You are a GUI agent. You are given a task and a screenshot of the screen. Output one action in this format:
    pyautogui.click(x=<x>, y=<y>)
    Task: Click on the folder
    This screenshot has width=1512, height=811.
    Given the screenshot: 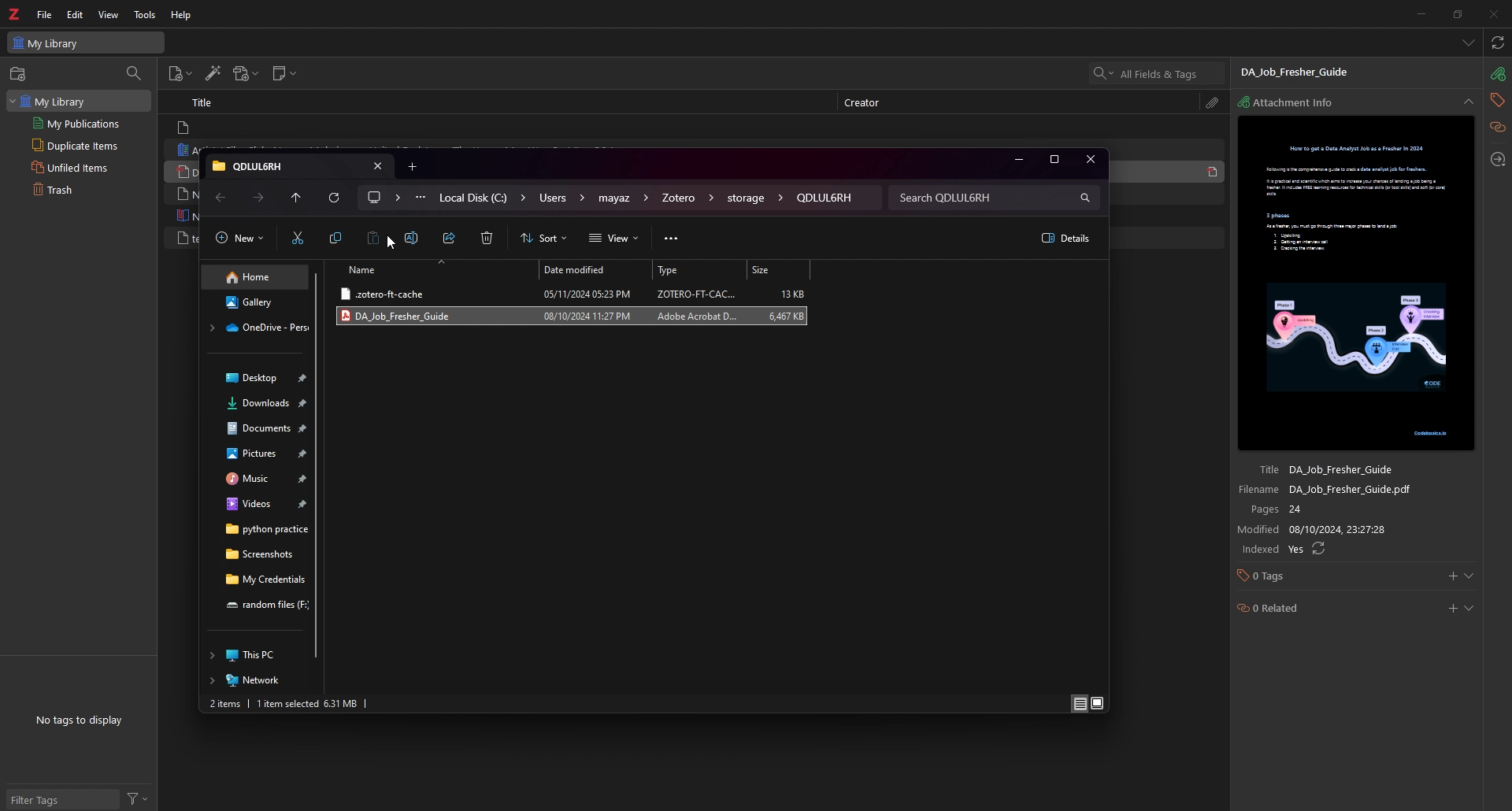 What is the action you would take?
    pyautogui.click(x=687, y=198)
    